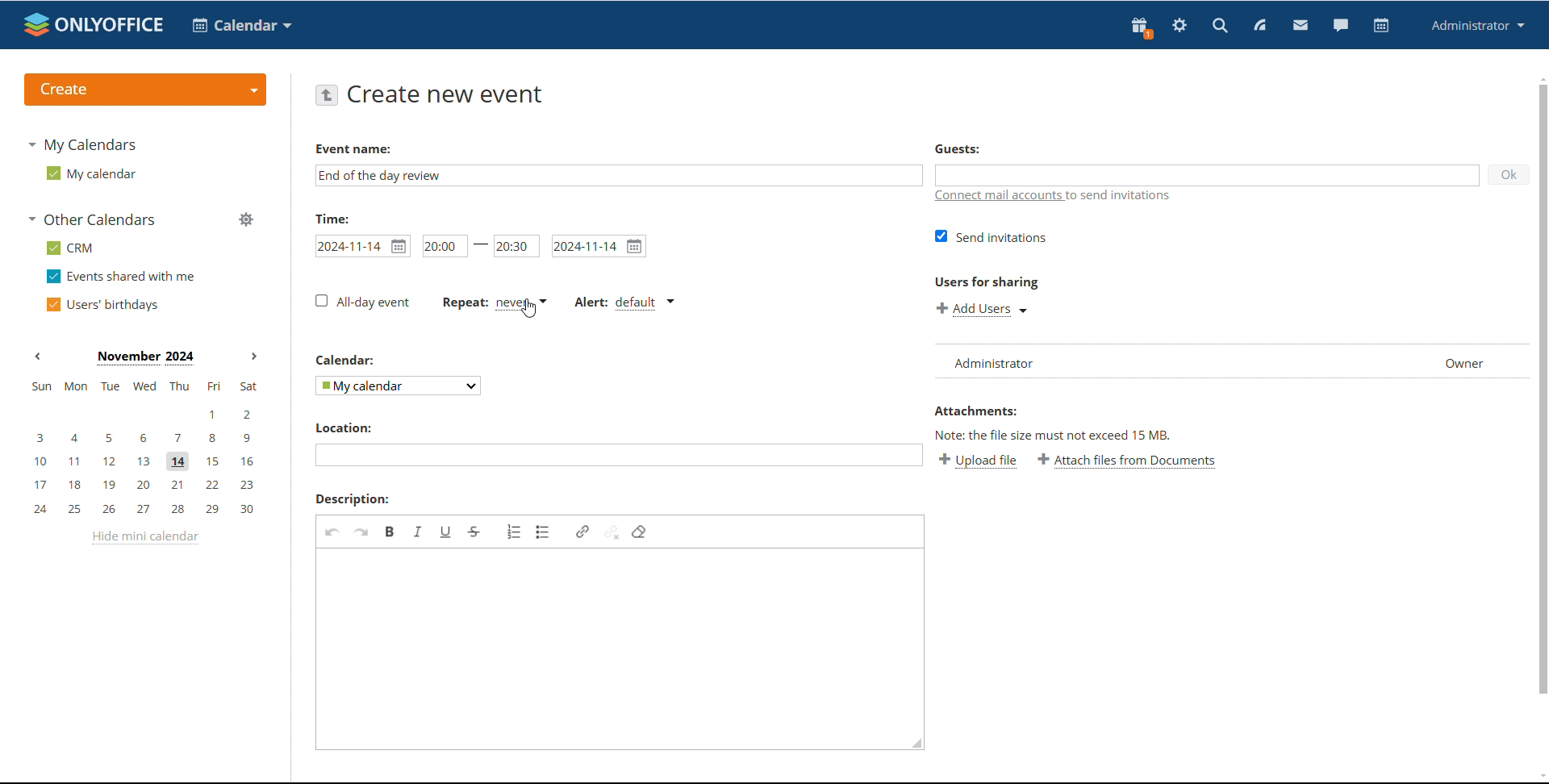 The height and width of the screenshot is (784, 1549). What do you see at coordinates (37, 355) in the screenshot?
I see `previous month` at bounding box center [37, 355].